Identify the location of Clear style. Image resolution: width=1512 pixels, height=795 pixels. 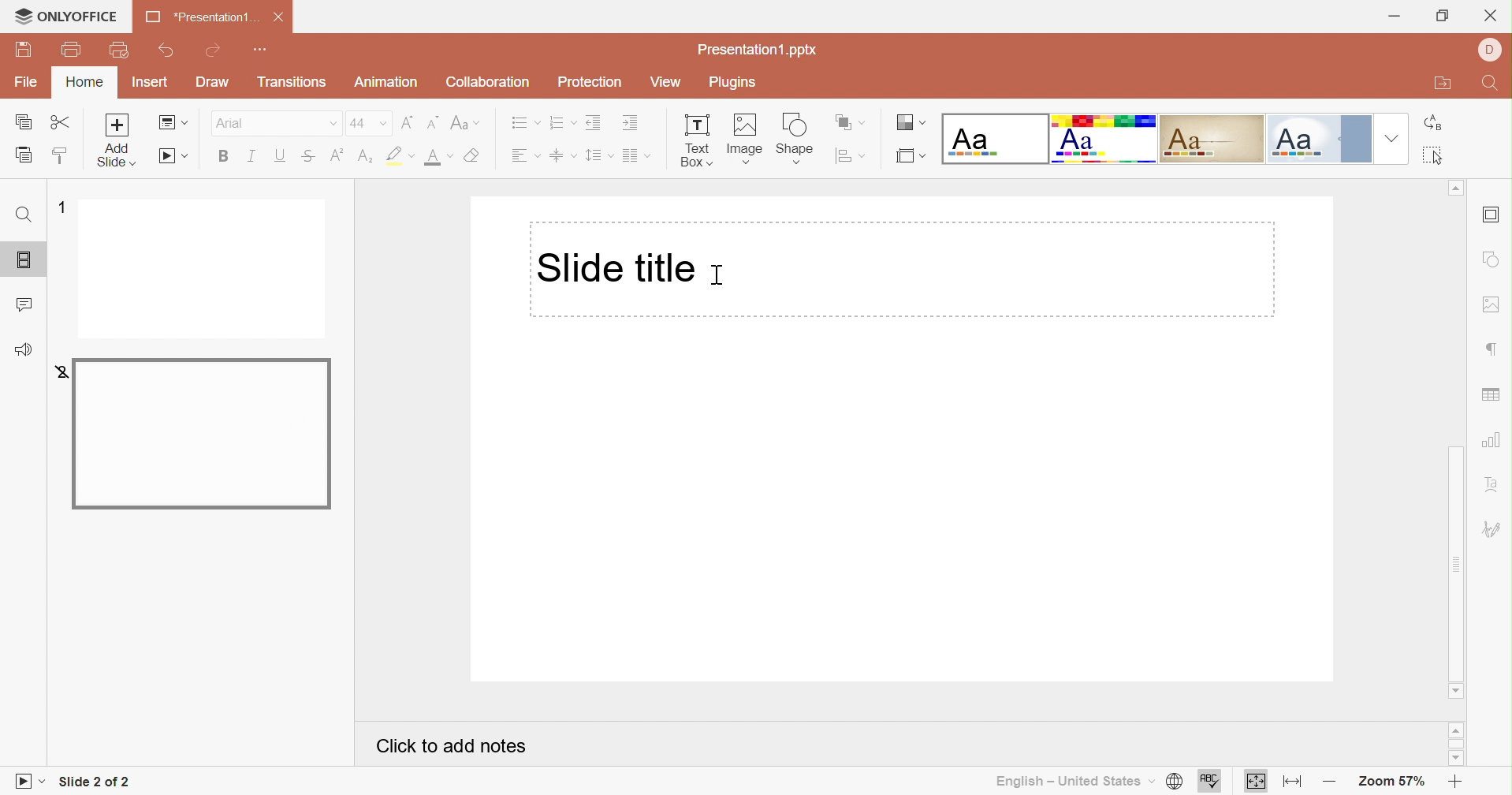
(474, 155).